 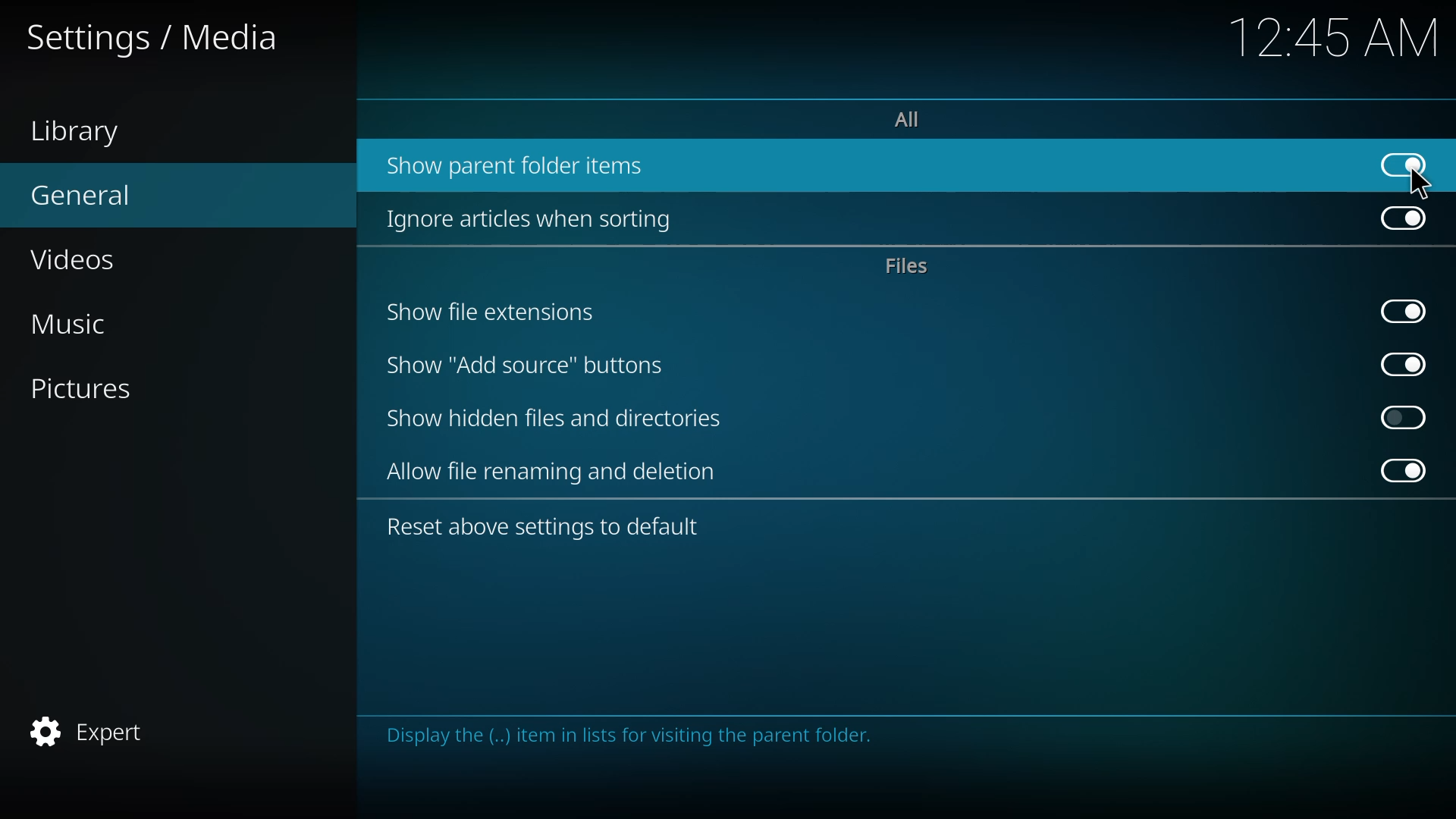 I want to click on time, so click(x=1331, y=37).